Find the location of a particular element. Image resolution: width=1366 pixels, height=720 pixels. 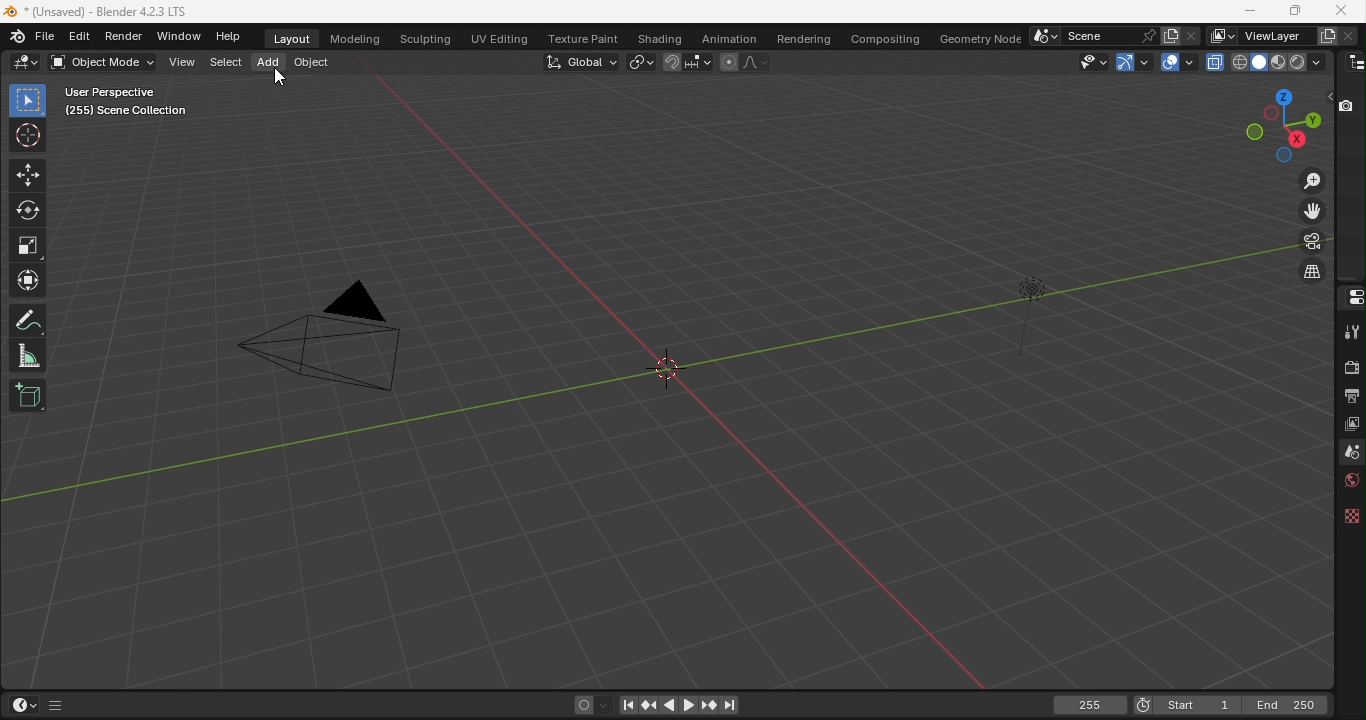

Rotate the scene is located at coordinates (1252, 132).